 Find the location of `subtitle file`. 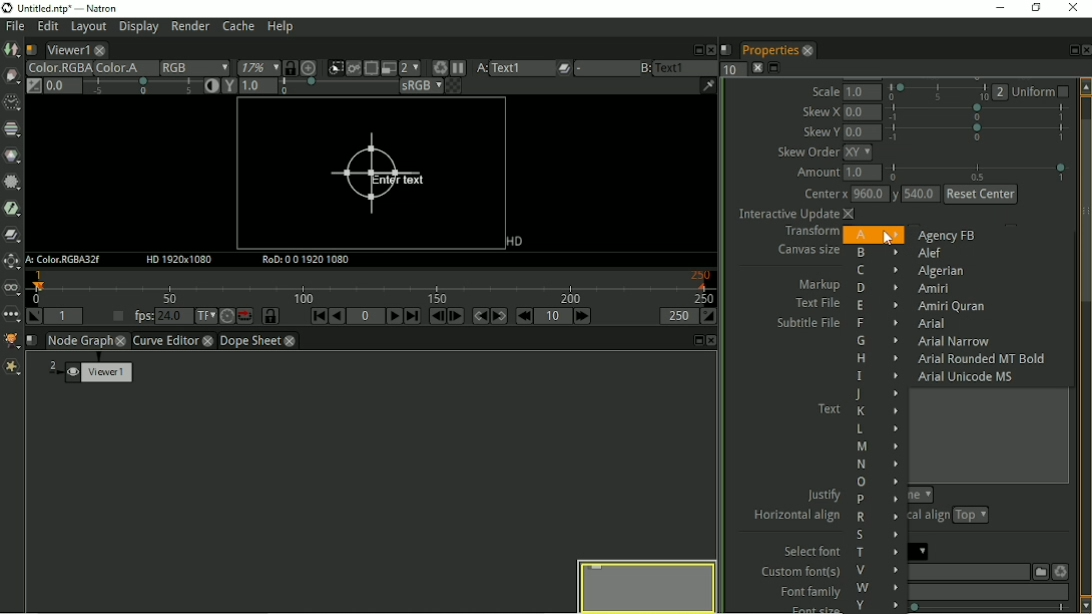

subtitle file is located at coordinates (808, 324).